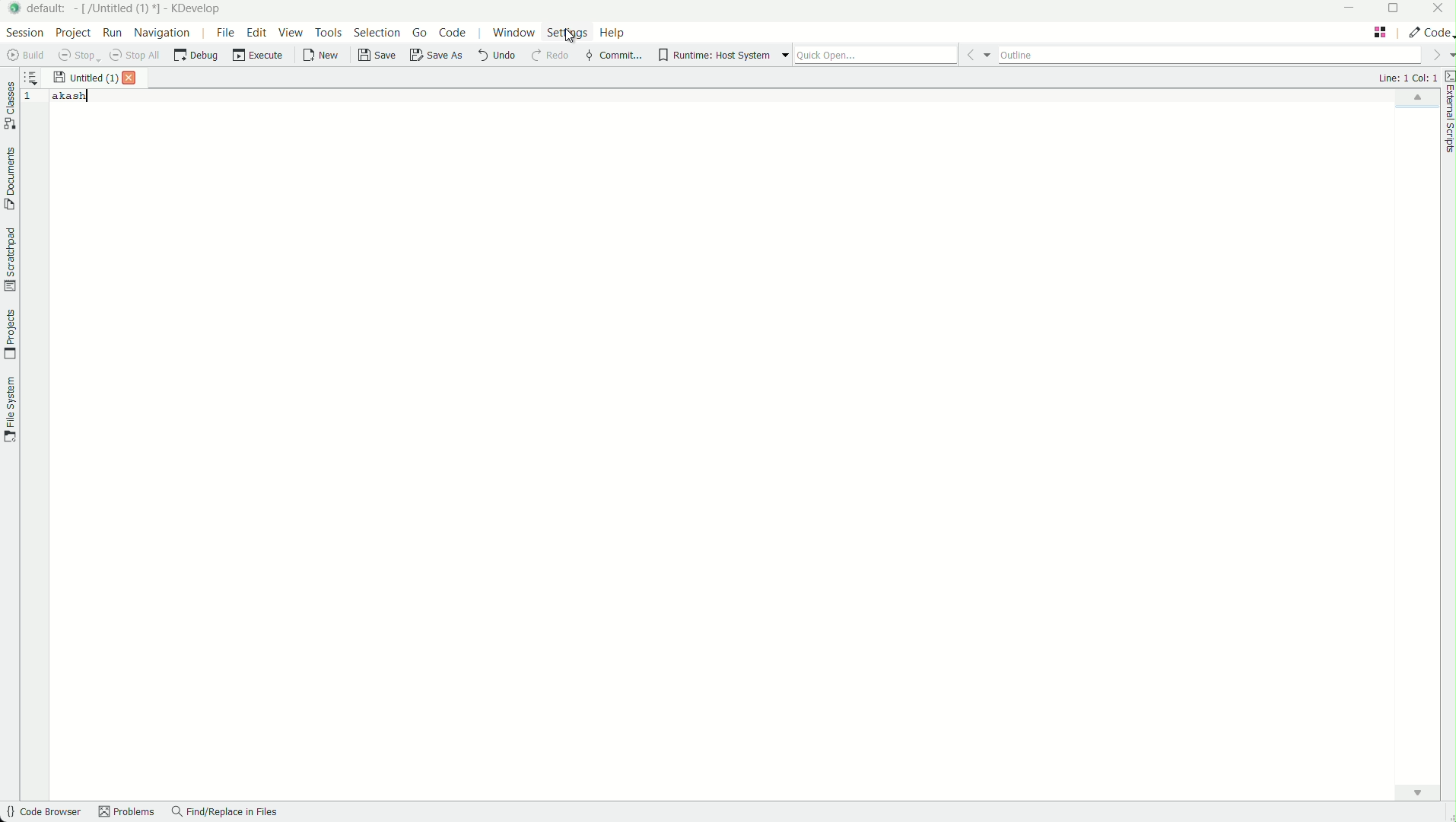  What do you see at coordinates (328, 32) in the screenshot?
I see `tools menu` at bounding box center [328, 32].